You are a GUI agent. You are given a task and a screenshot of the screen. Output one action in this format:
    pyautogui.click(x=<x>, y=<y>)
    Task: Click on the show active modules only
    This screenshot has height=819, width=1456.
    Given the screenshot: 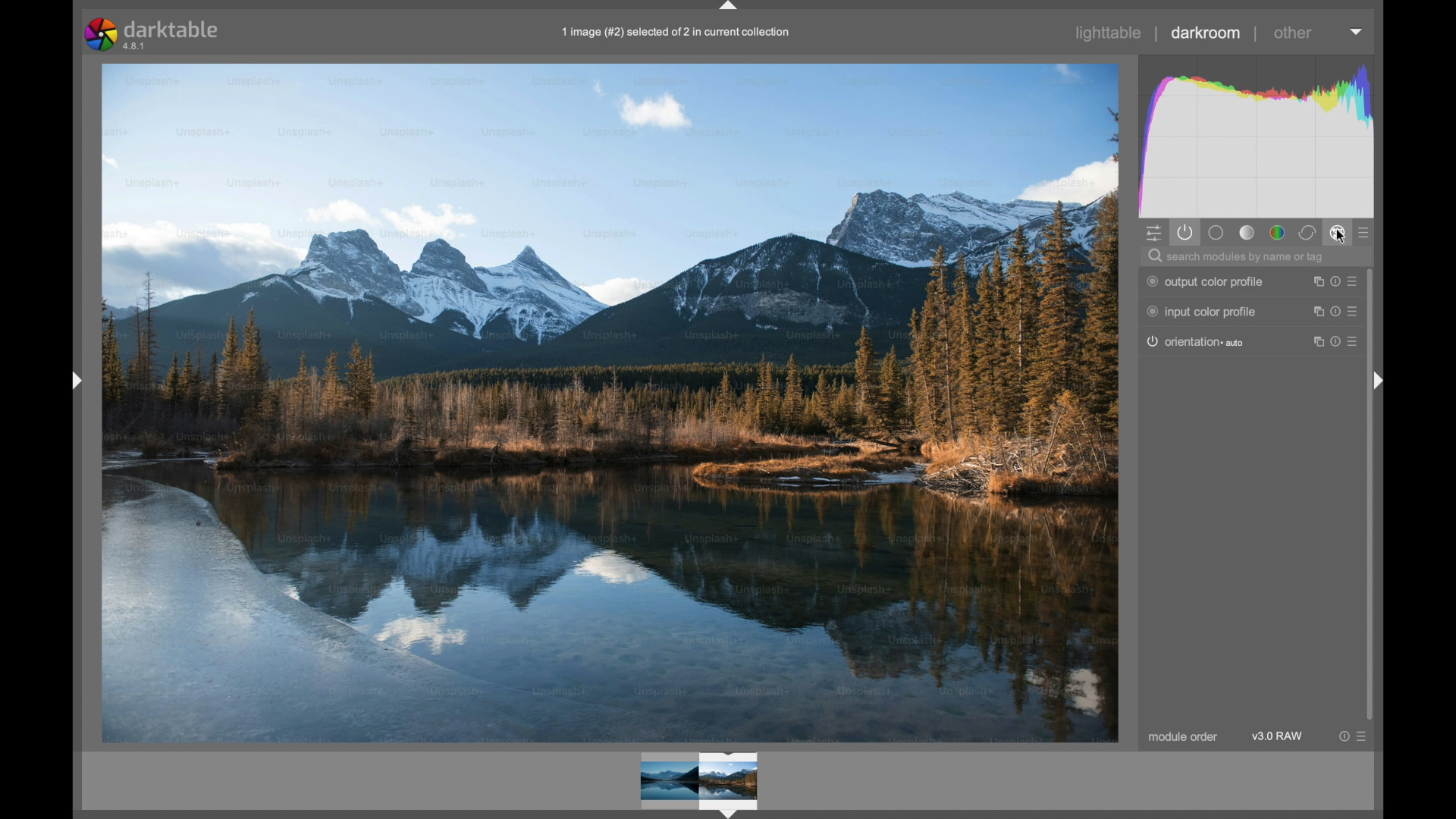 What is the action you would take?
    pyautogui.click(x=1185, y=234)
    